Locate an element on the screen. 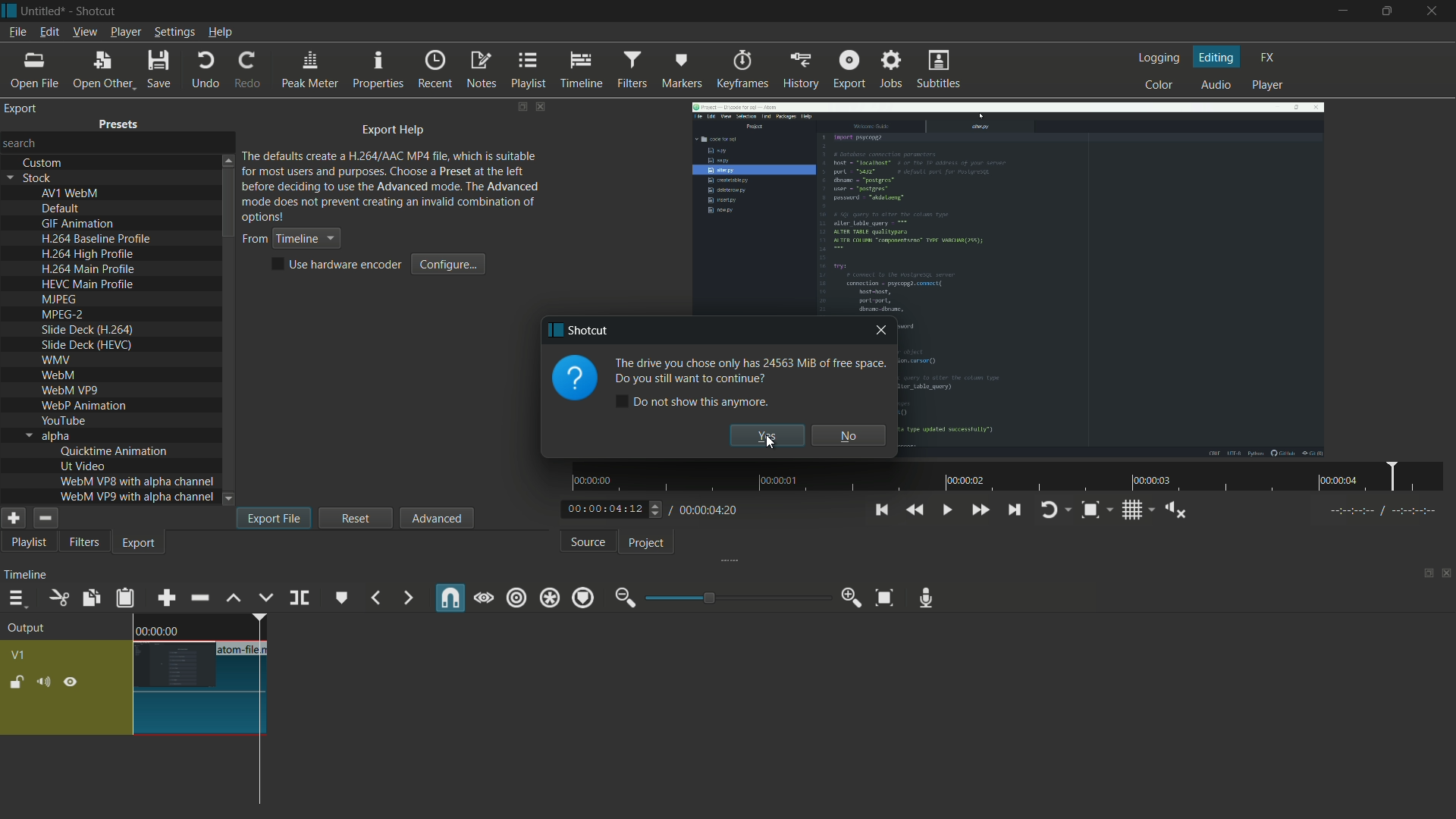  mute is located at coordinates (42, 683).